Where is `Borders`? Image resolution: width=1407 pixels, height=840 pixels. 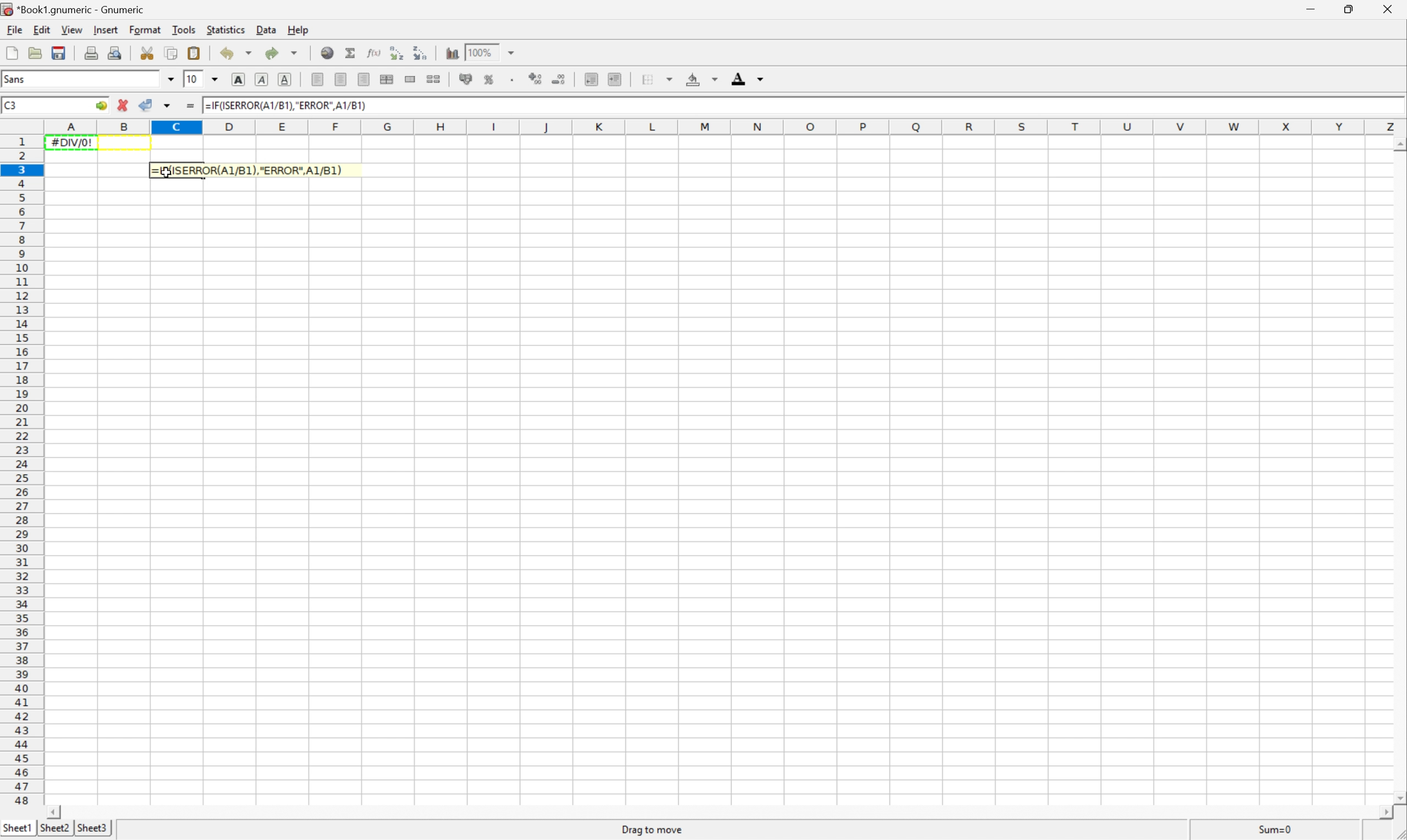
Borders is located at coordinates (648, 79).